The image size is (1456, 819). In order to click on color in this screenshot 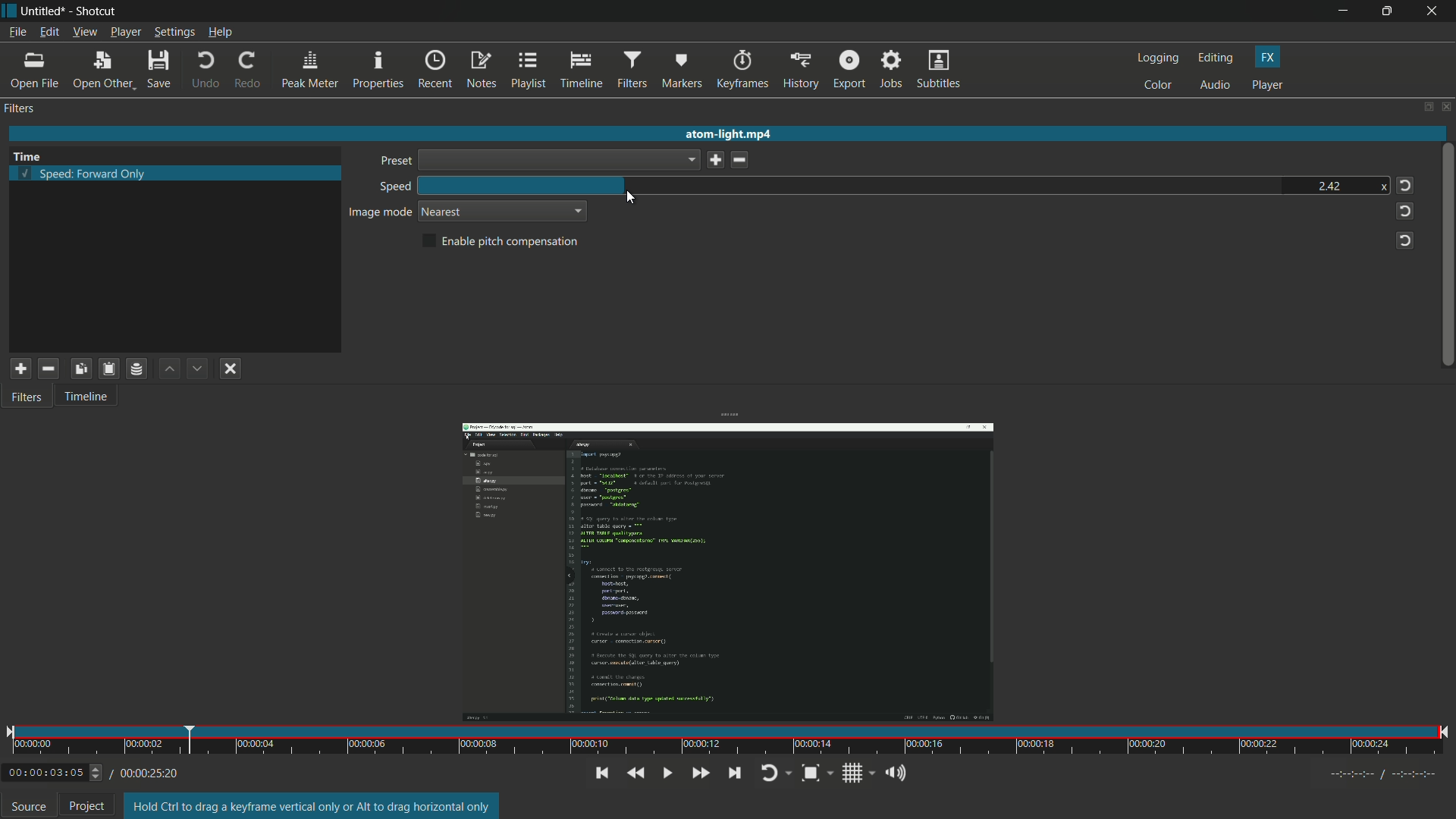, I will do `click(1159, 86)`.